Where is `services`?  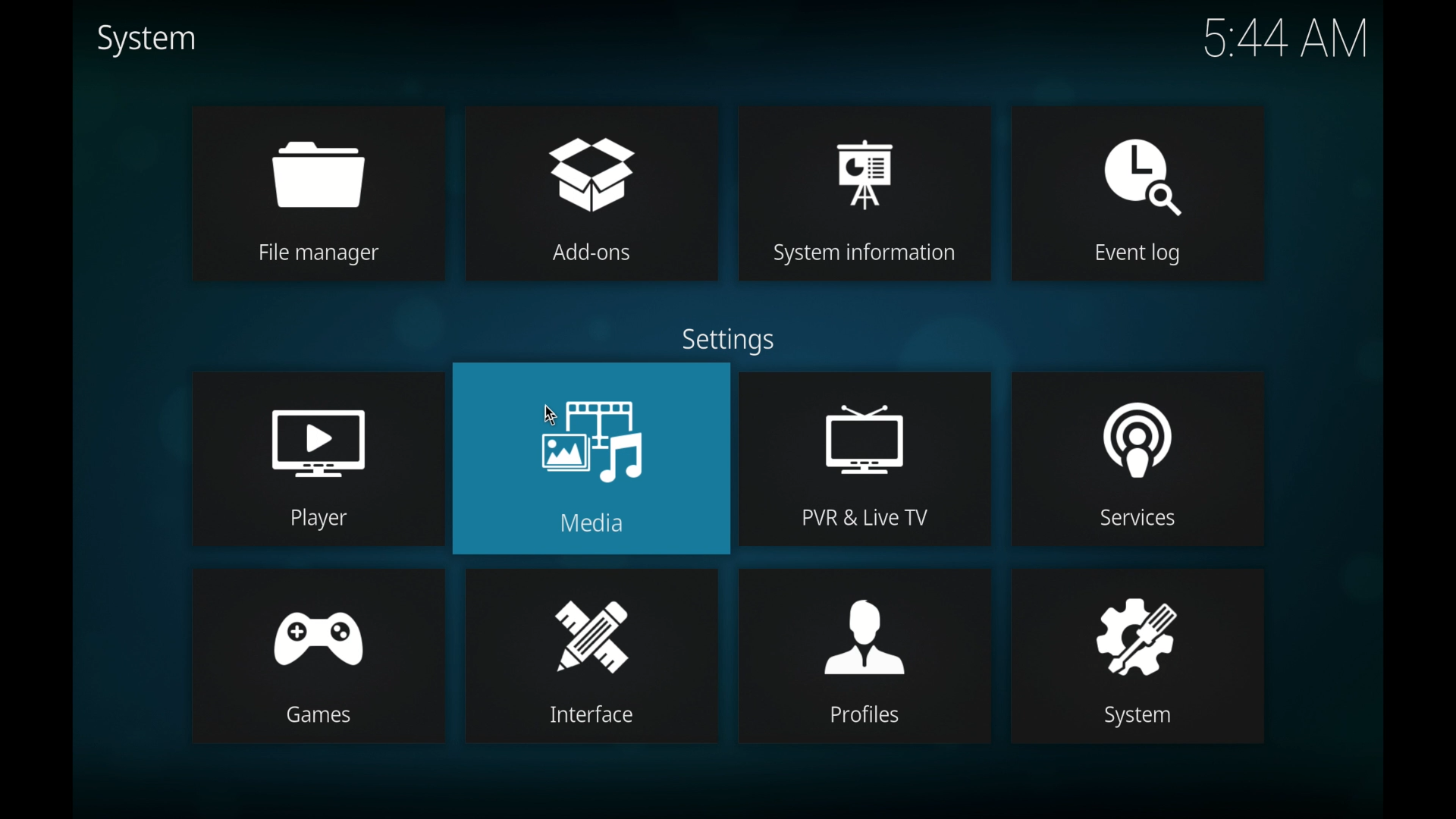 services is located at coordinates (1137, 457).